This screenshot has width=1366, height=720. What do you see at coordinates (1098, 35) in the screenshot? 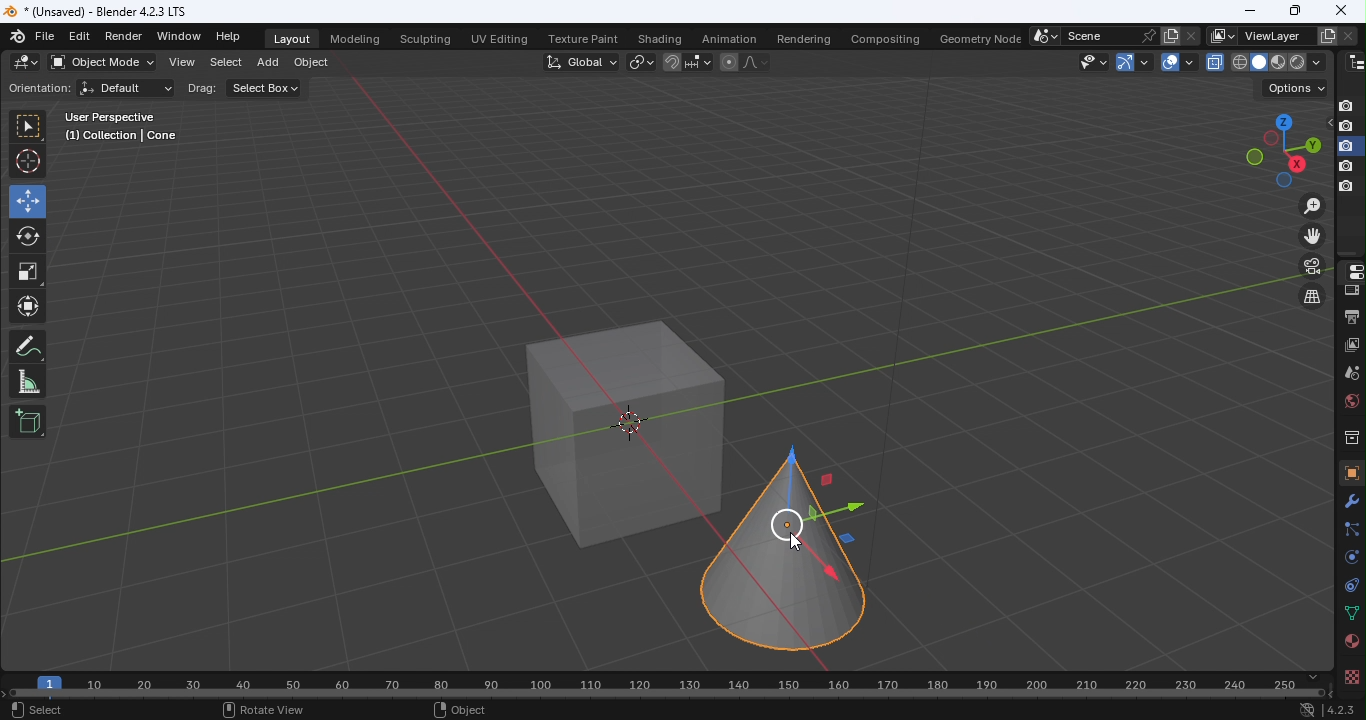
I see `Name` at bounding box center [1098, 35].